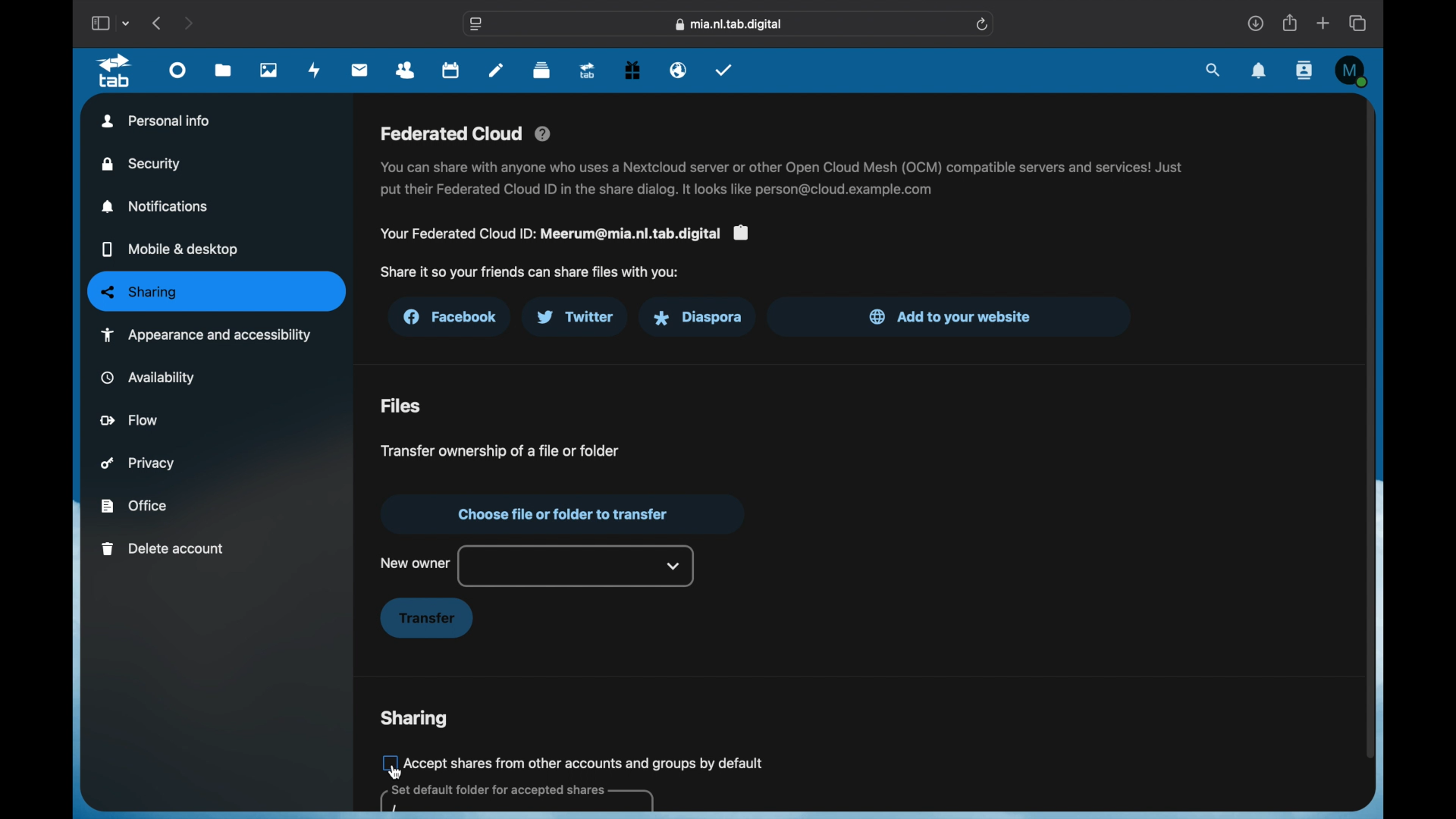  What do you see at coordinates (516, 799) in the screenshot?
I see `empty field` at bounding box center [516, 799].